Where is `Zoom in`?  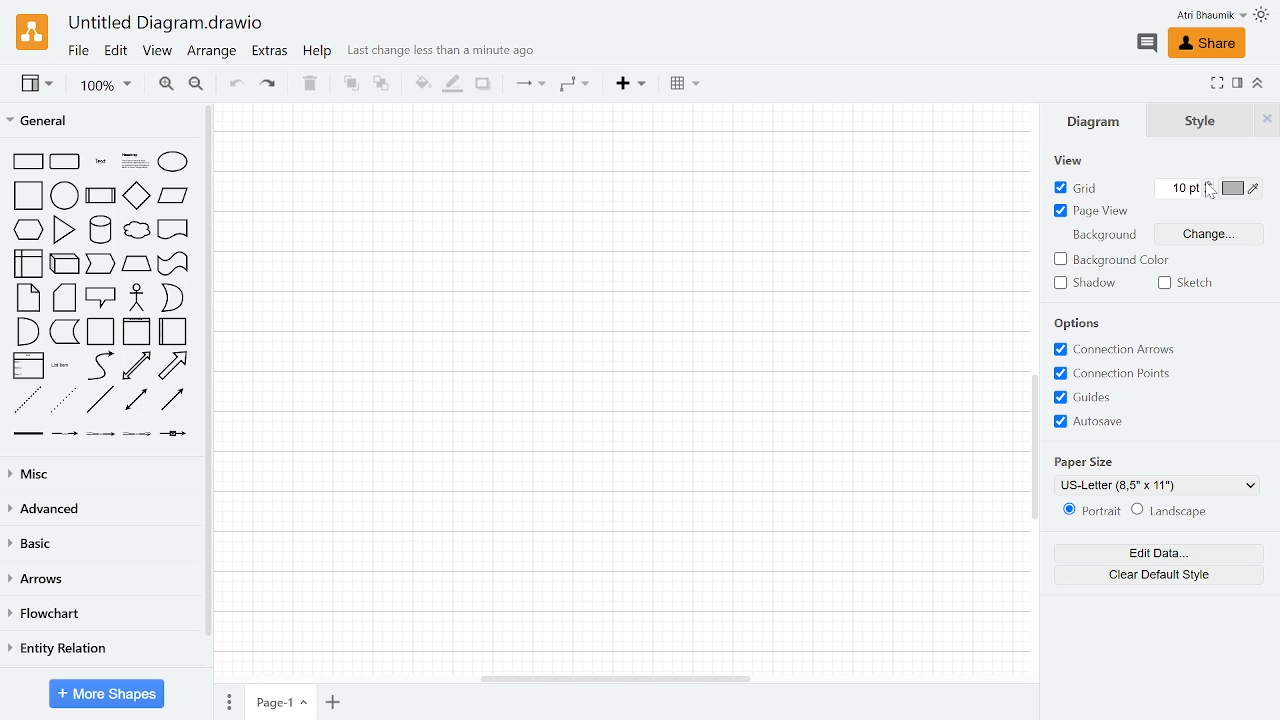
Zoom in is located at coordinates (167, 84).